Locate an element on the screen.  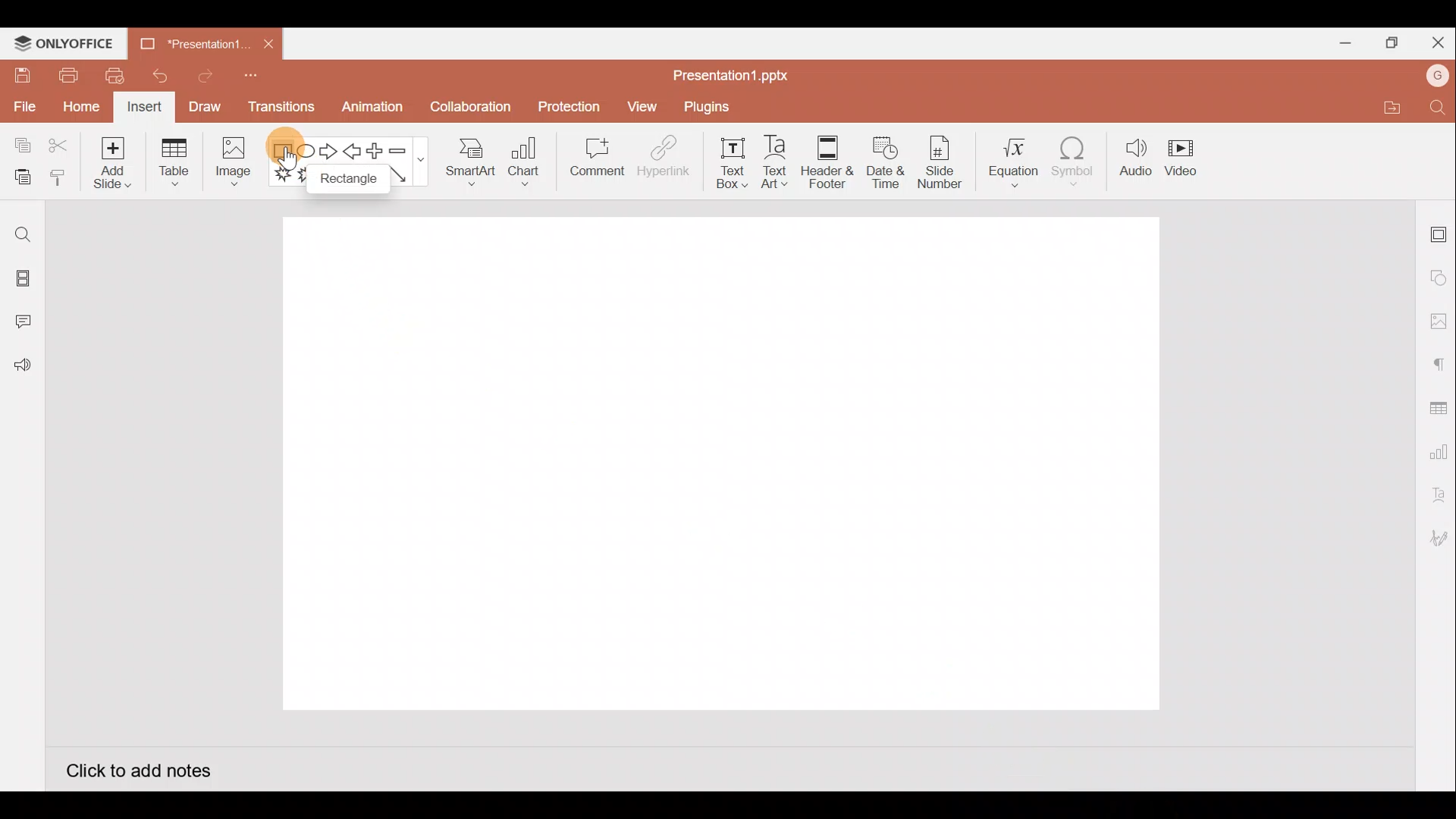
Shape settings is located at coordinates (1439, 277).